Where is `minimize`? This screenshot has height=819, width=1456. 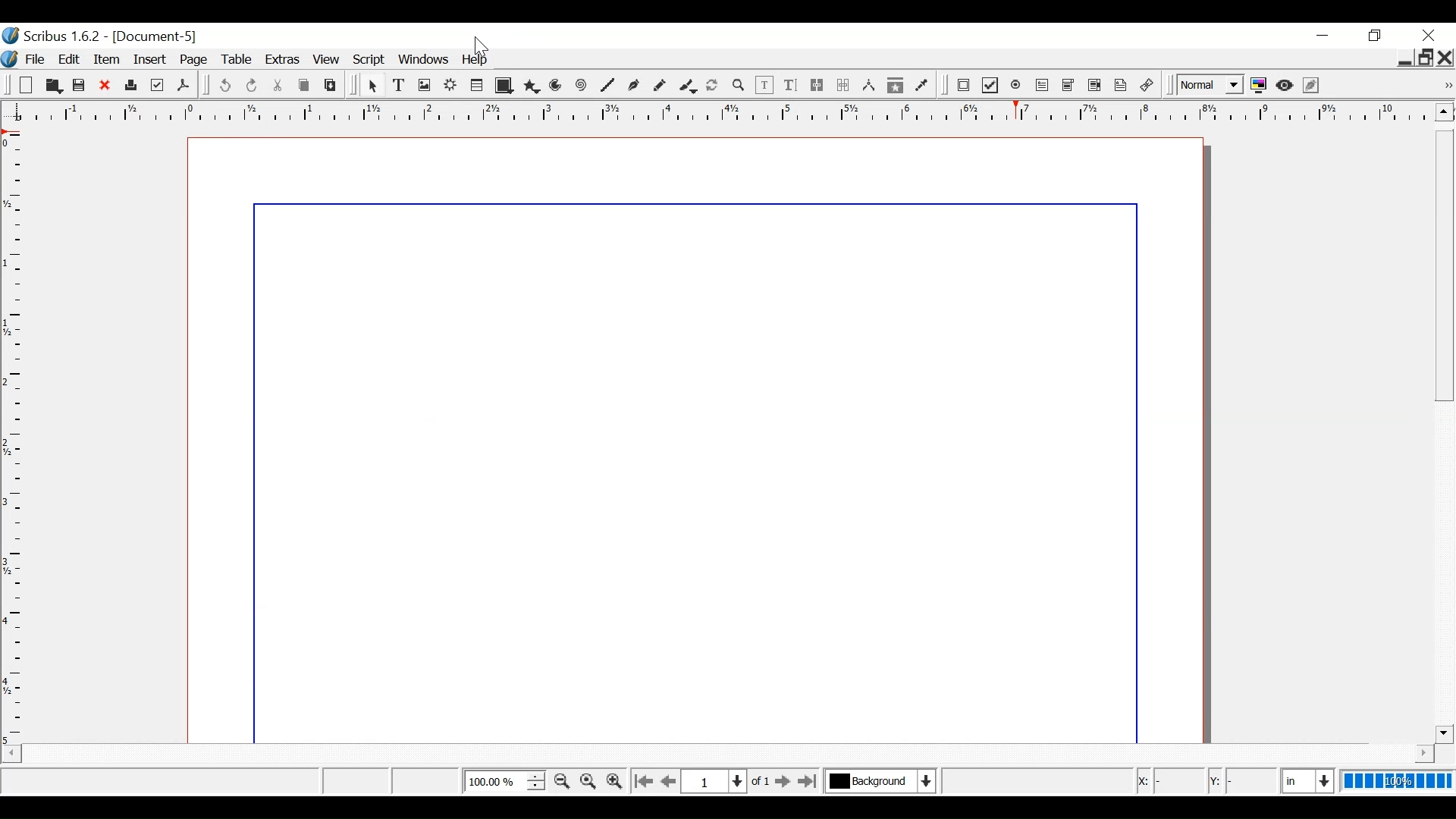 minimize is located at coordinates (1403, 60).